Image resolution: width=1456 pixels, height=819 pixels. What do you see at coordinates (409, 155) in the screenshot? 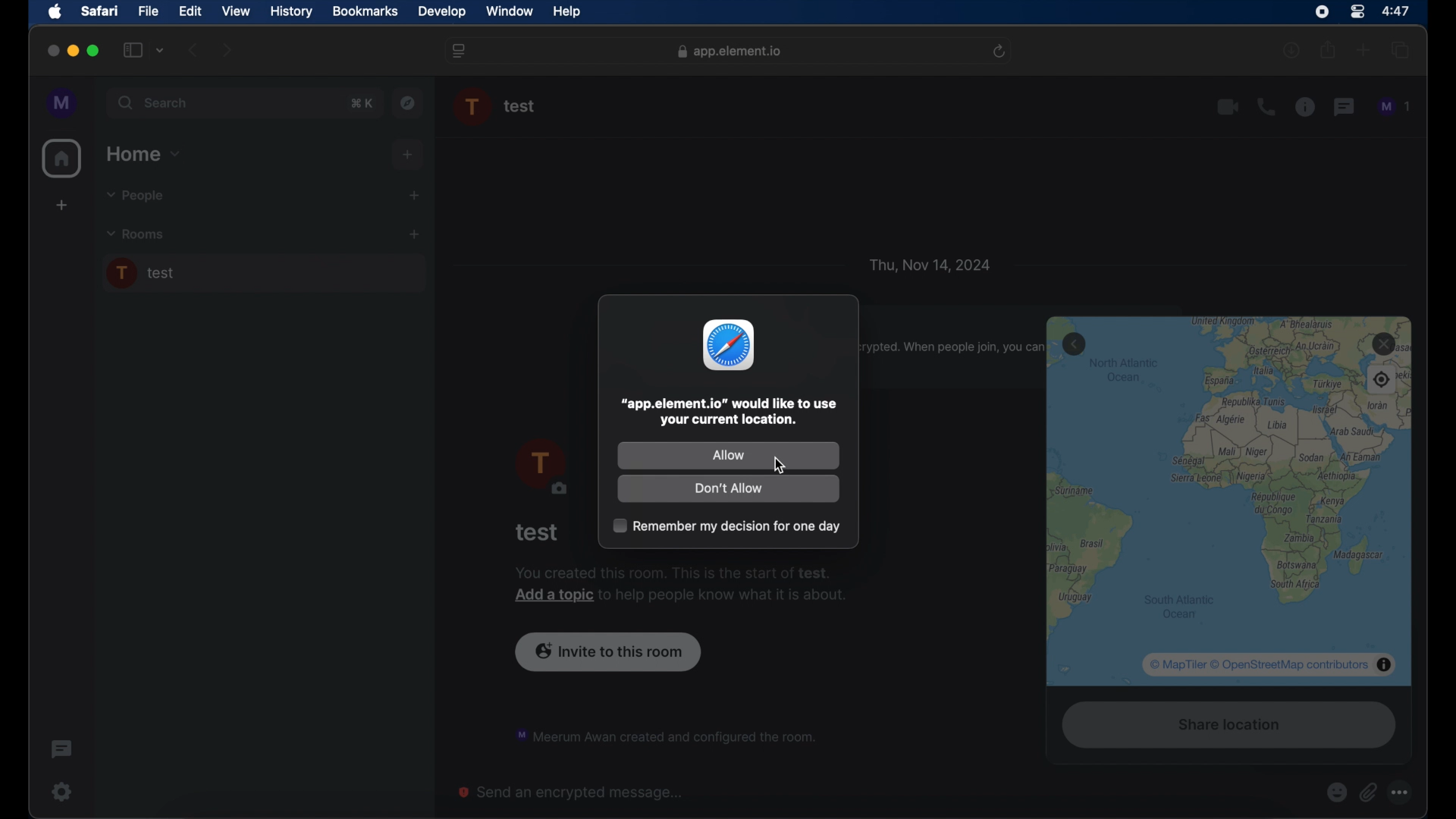
I see `add` at bounding box center [409, 155].